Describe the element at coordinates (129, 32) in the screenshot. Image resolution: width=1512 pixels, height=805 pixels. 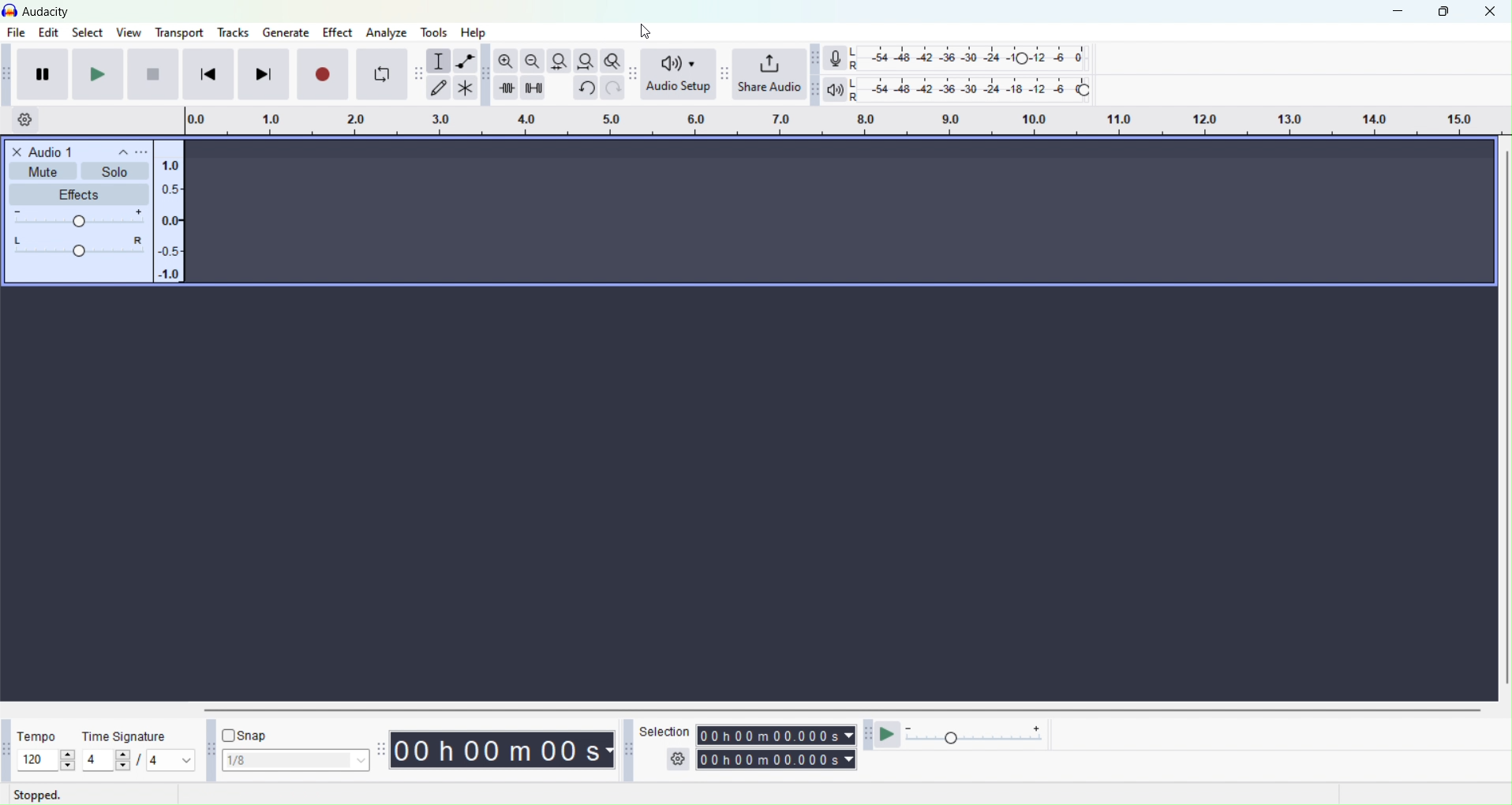
I see `View` at that location.